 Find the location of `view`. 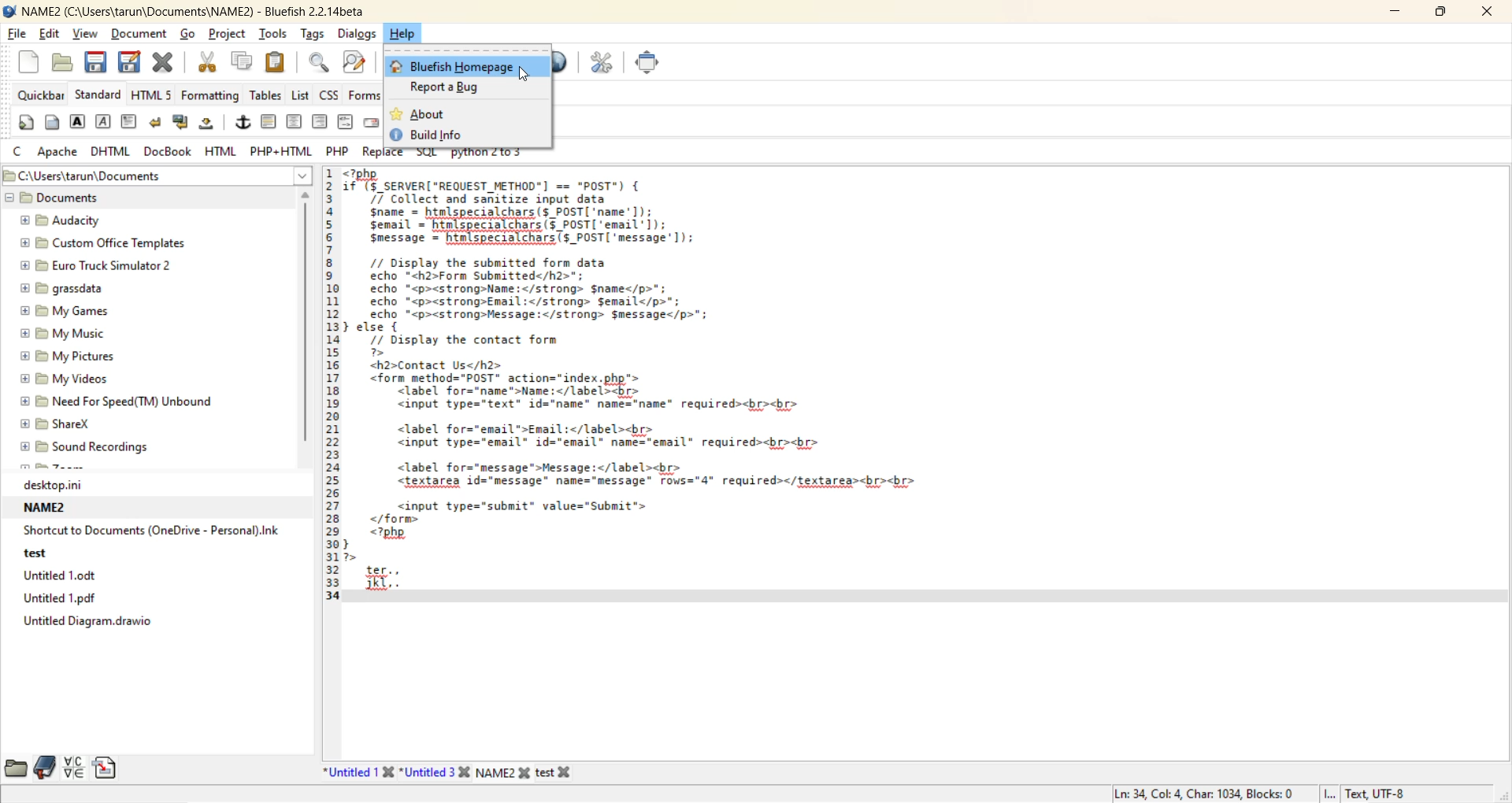

view is located at coordinates (84, 35).